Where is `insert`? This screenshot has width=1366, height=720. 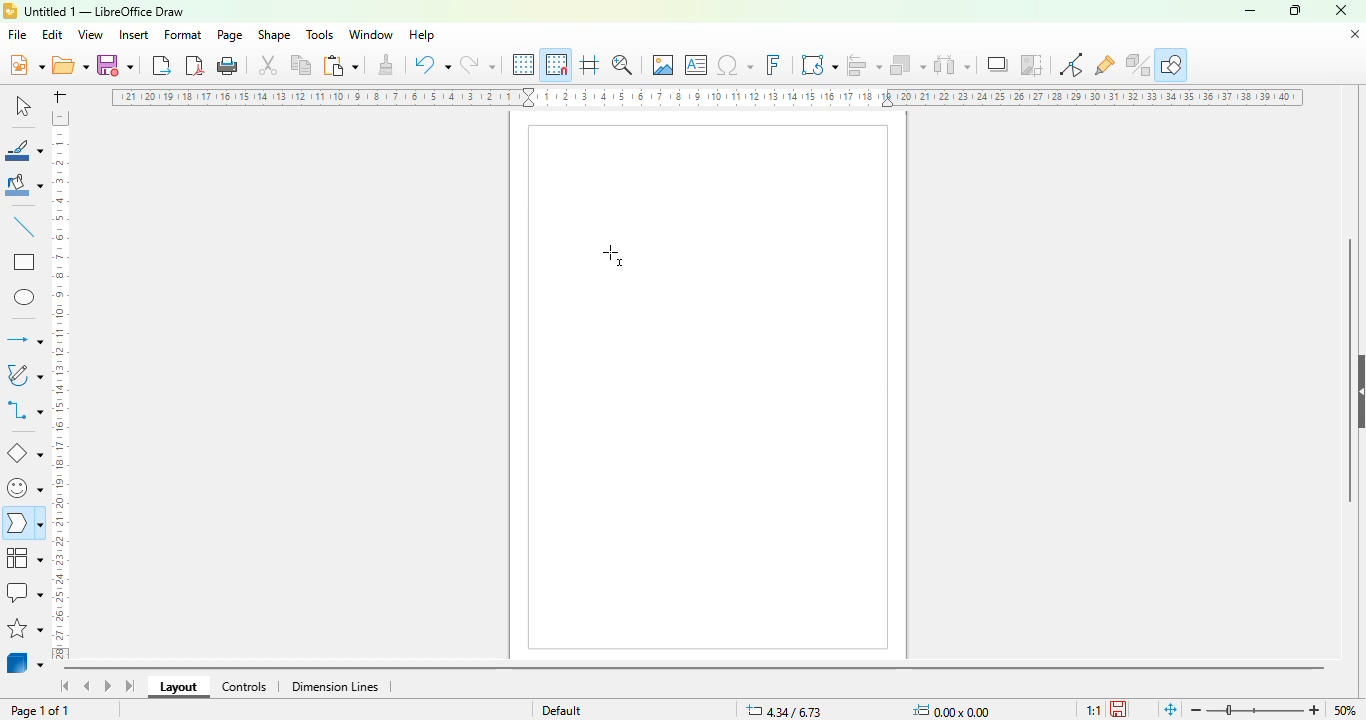
insert is located at coordinates (133, 35).